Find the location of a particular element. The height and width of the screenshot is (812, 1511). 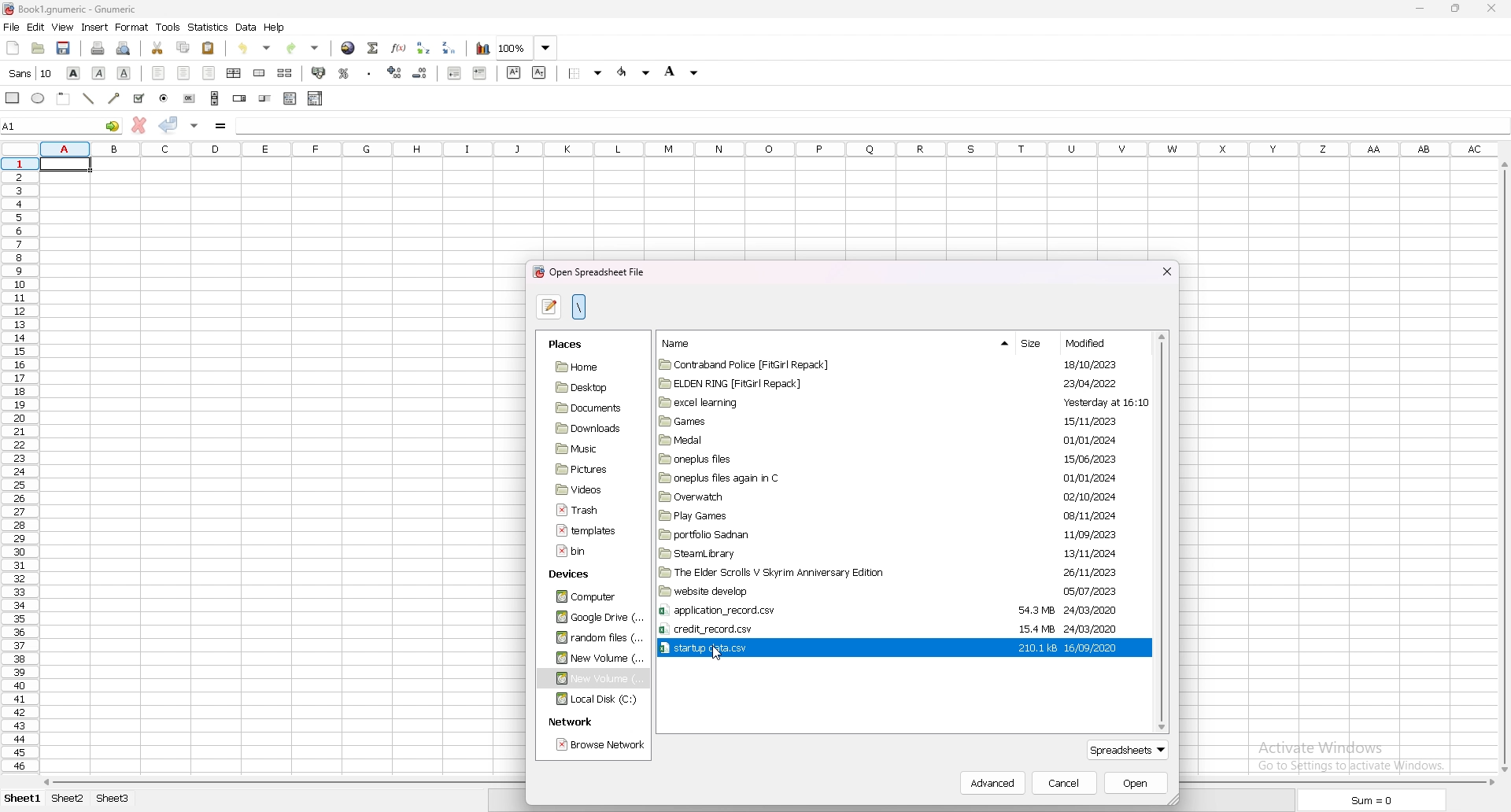

new is located at coordinates (13, 46).